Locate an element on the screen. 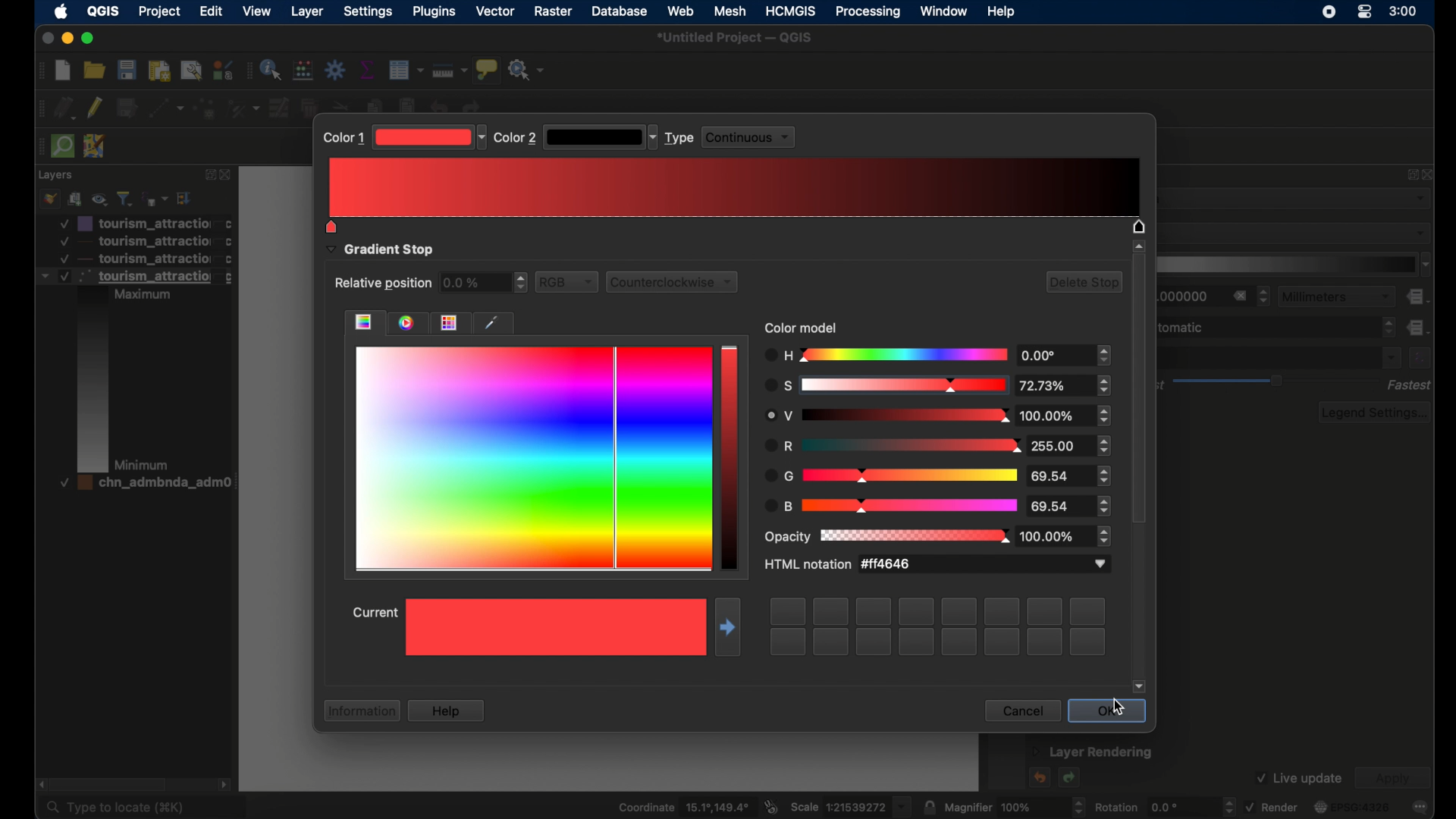 The image size is (1456, 819). layer 2 is located at coordinates (142, 241).